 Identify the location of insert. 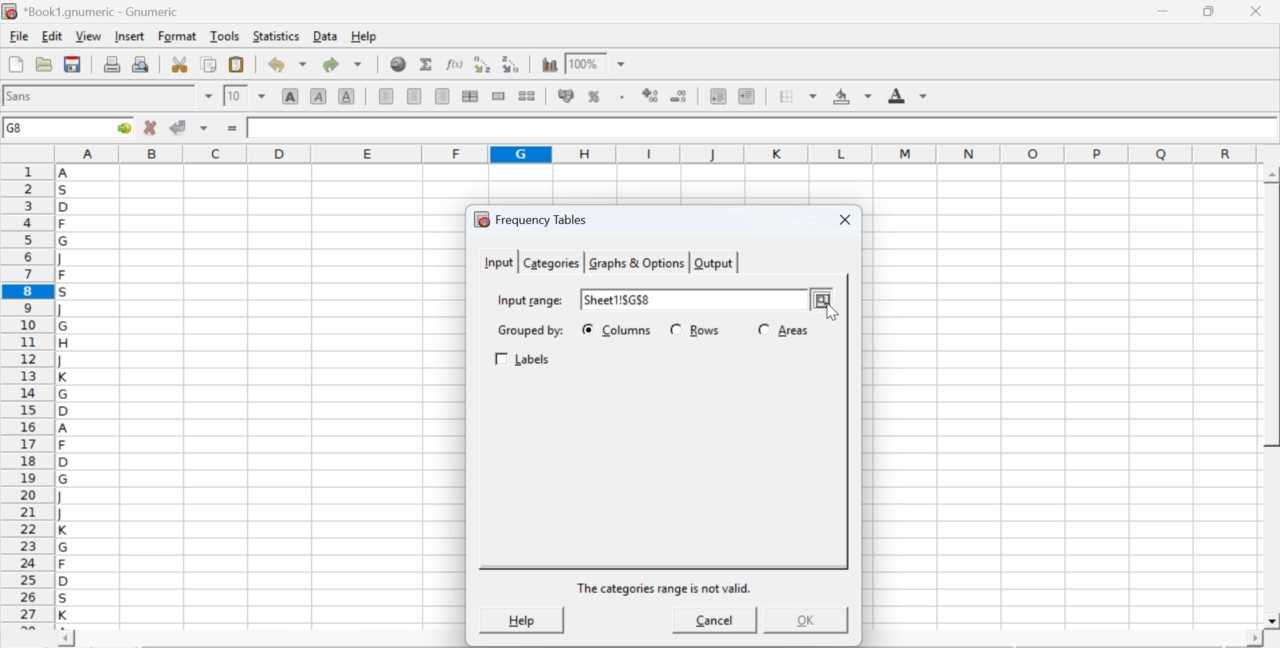
(128, 35).